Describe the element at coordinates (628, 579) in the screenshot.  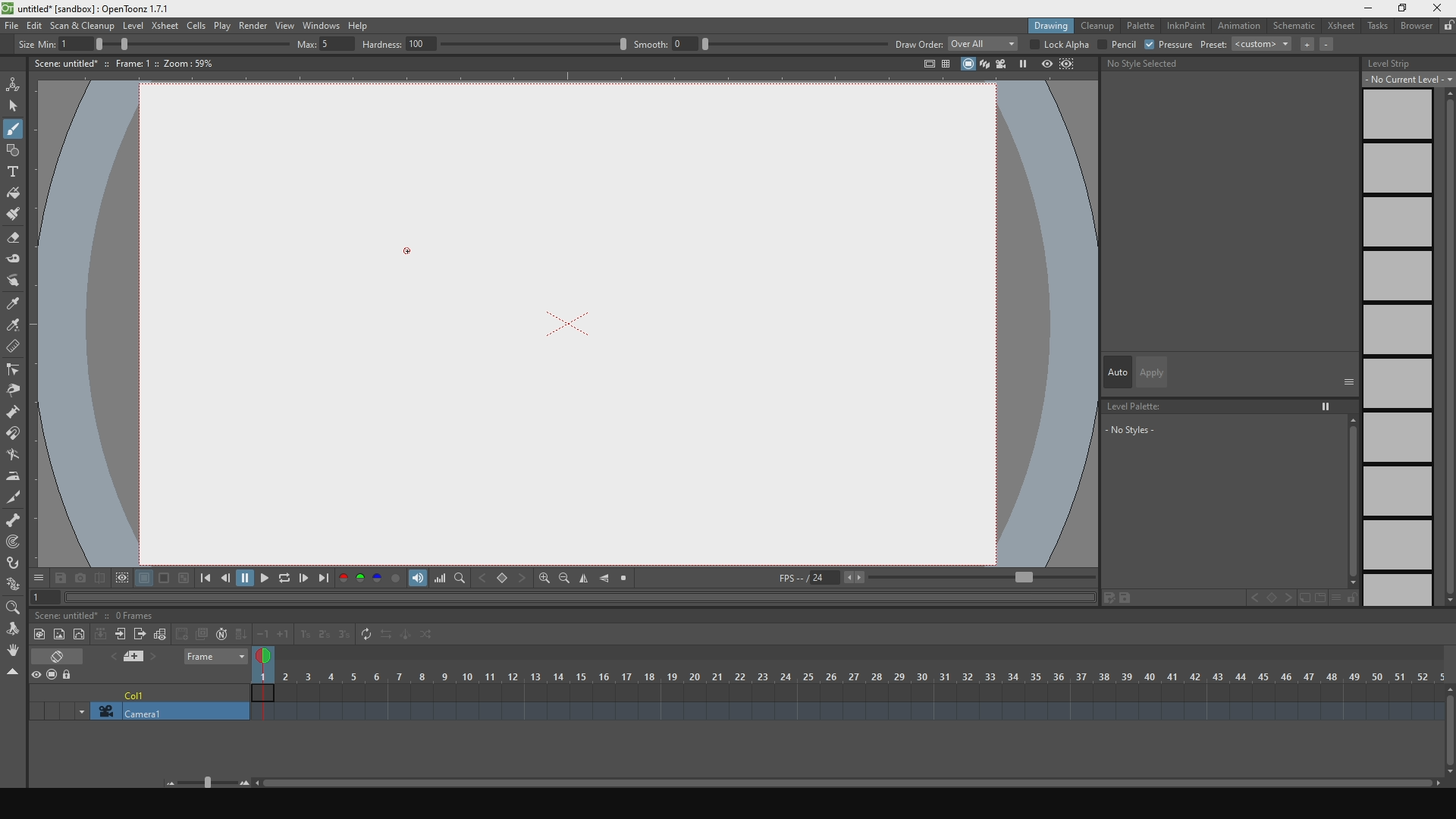
I see `stop` at that location.